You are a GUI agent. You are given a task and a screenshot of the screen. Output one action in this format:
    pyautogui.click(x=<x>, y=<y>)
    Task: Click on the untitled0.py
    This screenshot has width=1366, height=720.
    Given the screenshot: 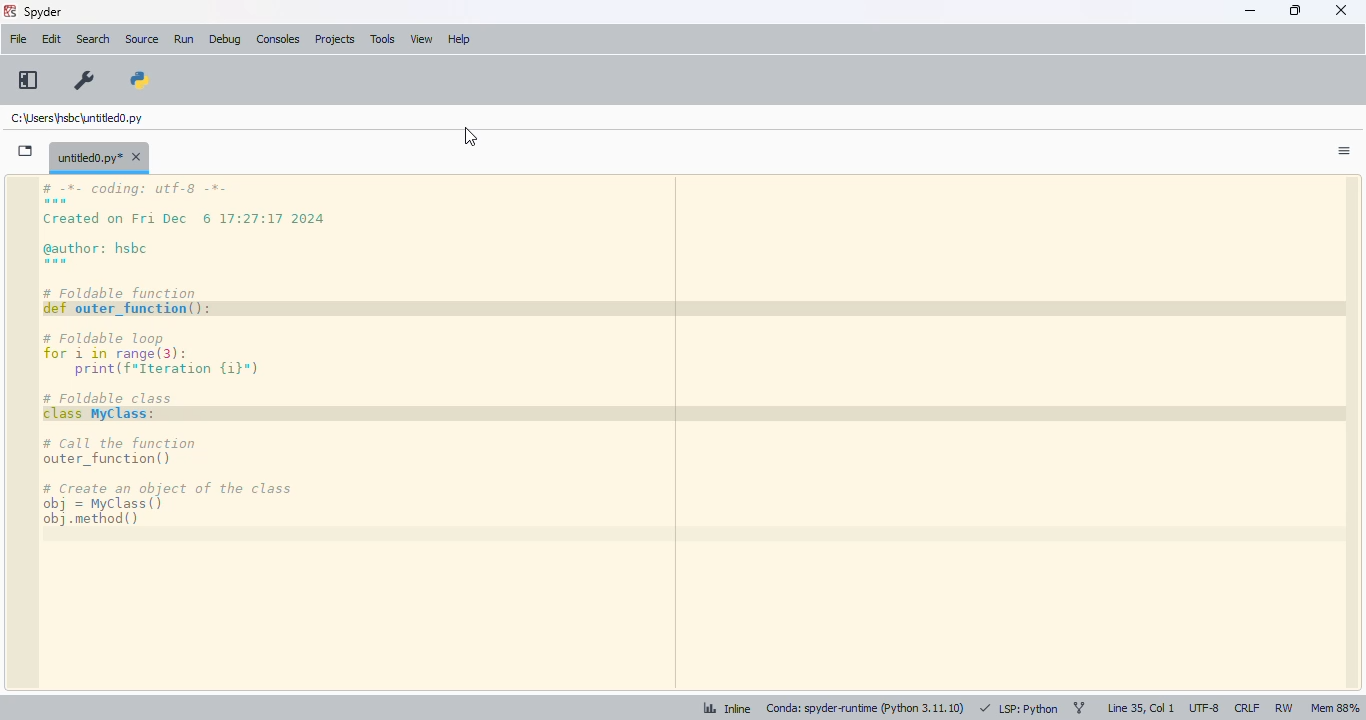 What is the action you would take?
    pyautogui.click(x=100, y=157)
    